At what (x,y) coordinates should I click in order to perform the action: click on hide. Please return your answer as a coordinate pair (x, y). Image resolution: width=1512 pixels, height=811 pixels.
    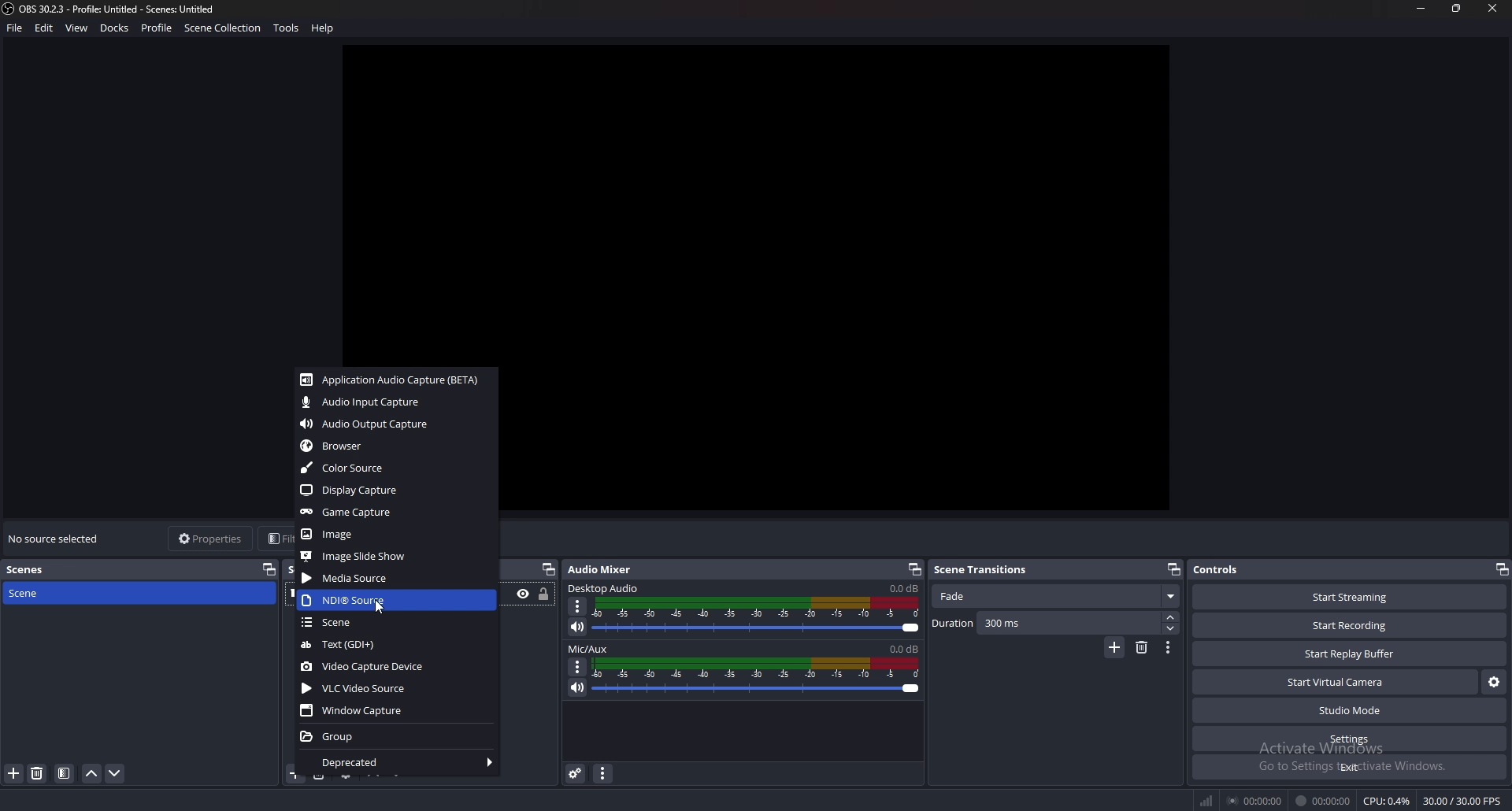
    Looking at the image, I should click on (523, 594).